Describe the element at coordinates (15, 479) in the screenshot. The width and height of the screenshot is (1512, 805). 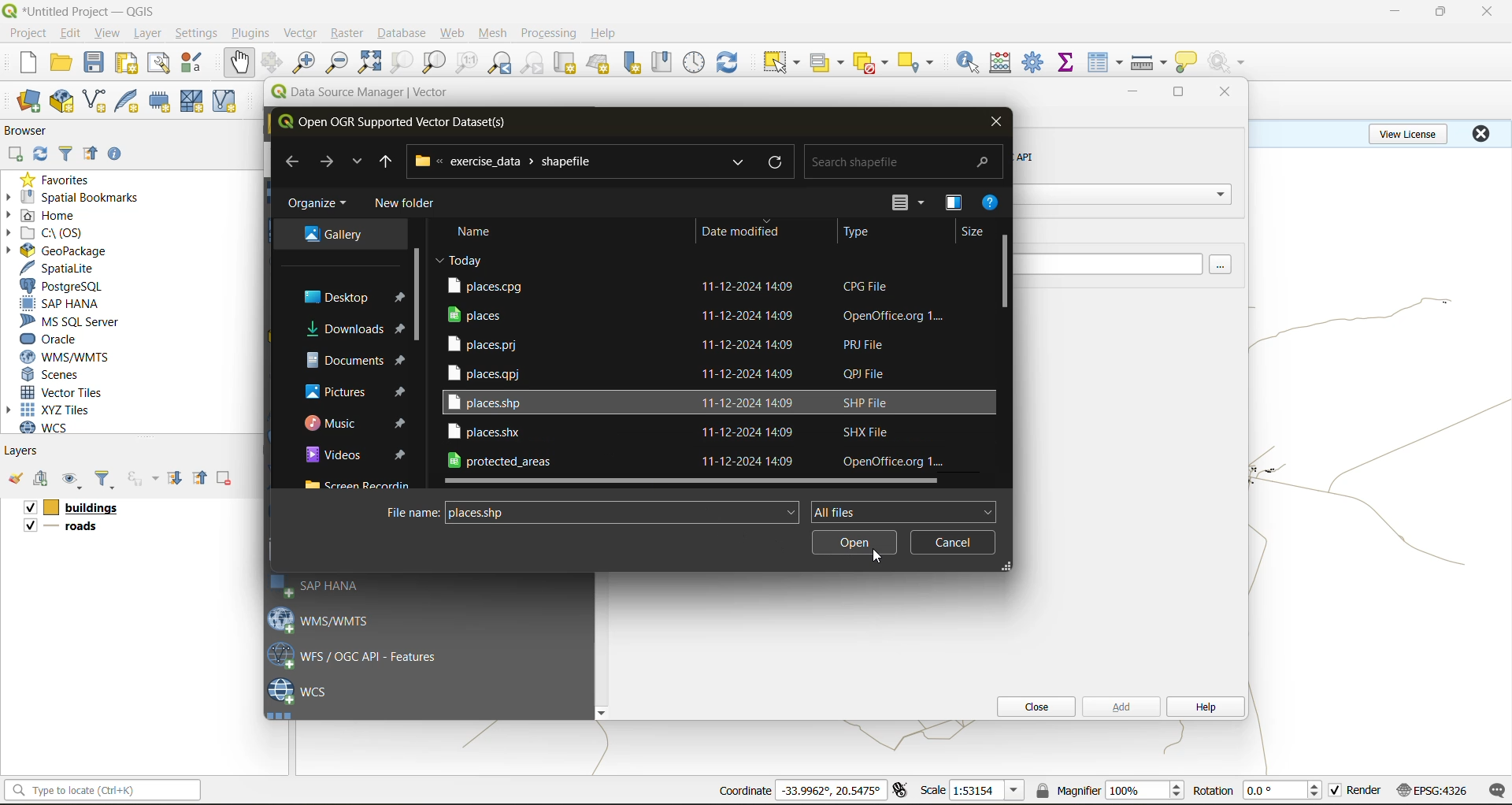
I see `open` at that location.